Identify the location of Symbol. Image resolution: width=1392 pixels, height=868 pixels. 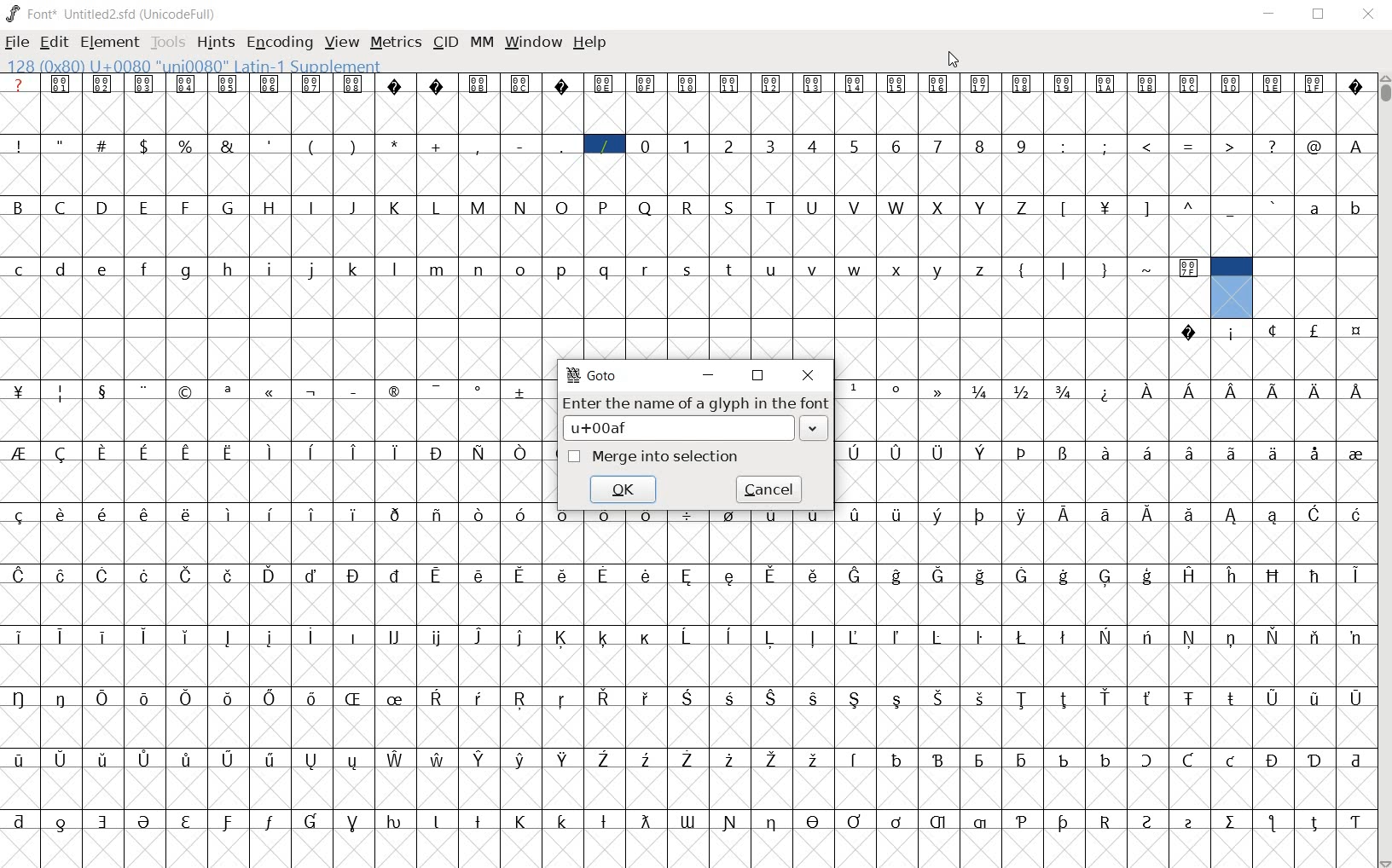
(1230, 759).